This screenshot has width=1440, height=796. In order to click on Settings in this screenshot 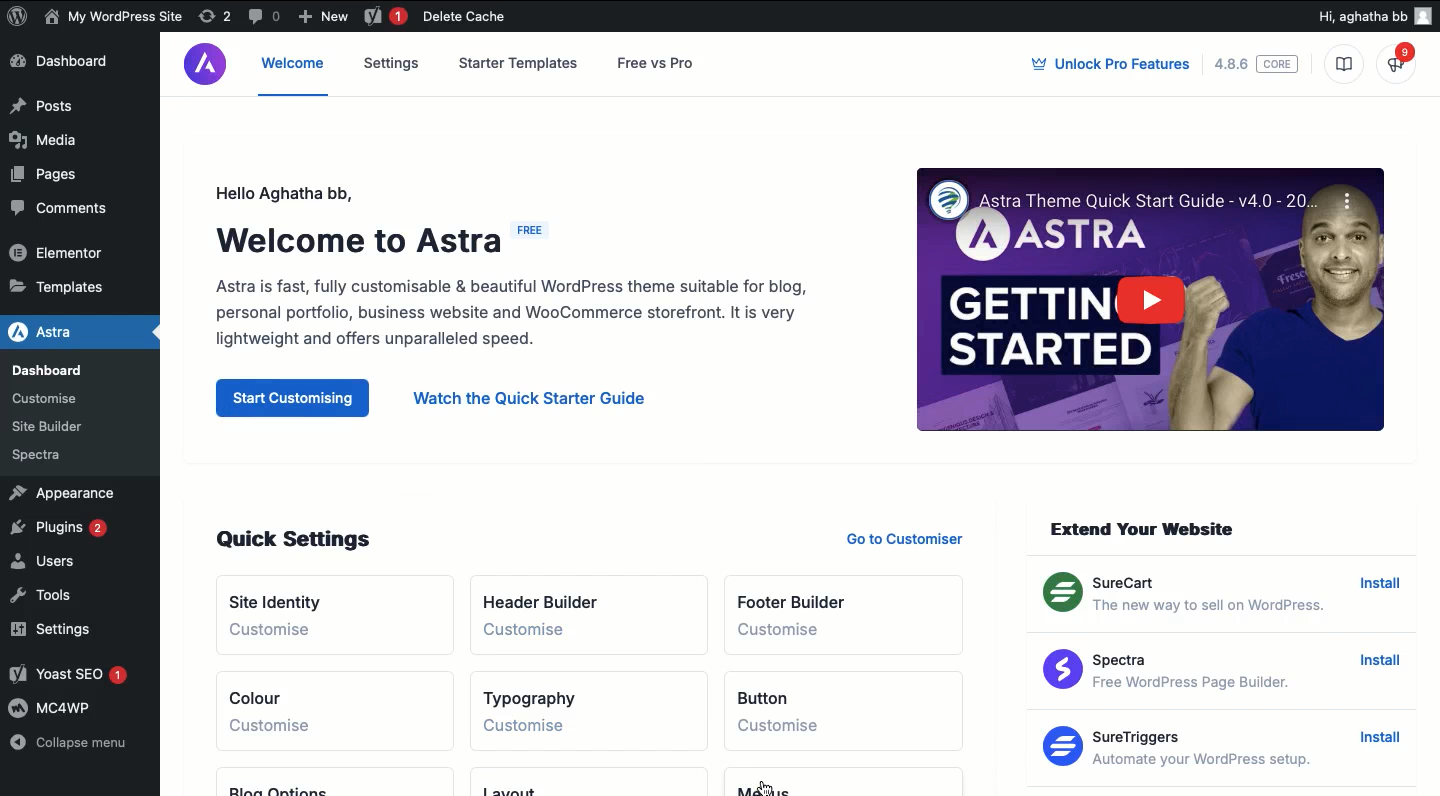, I will do `click(48, 633)`.